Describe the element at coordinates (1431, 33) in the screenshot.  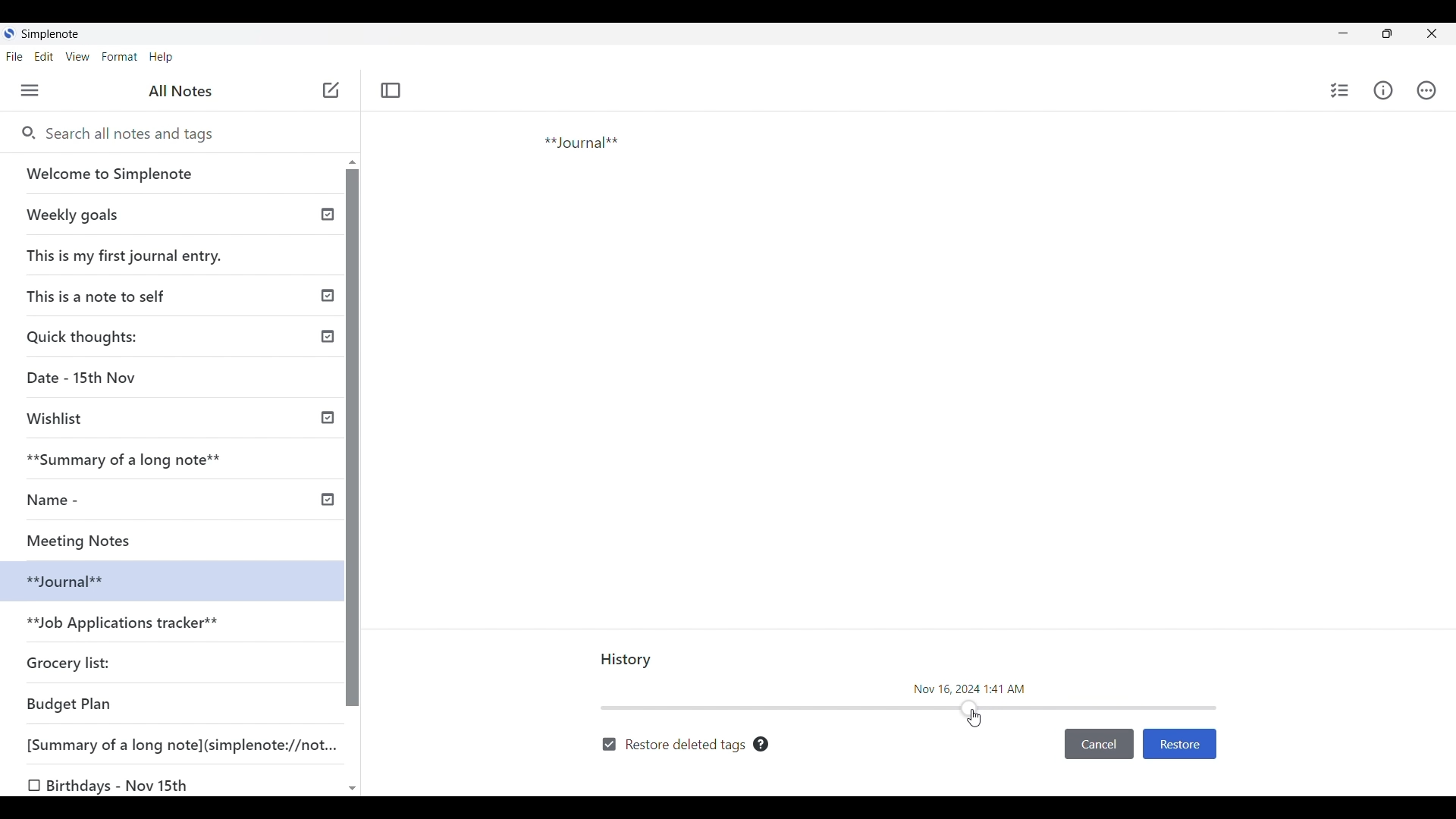
I see `Close interface` at that location.